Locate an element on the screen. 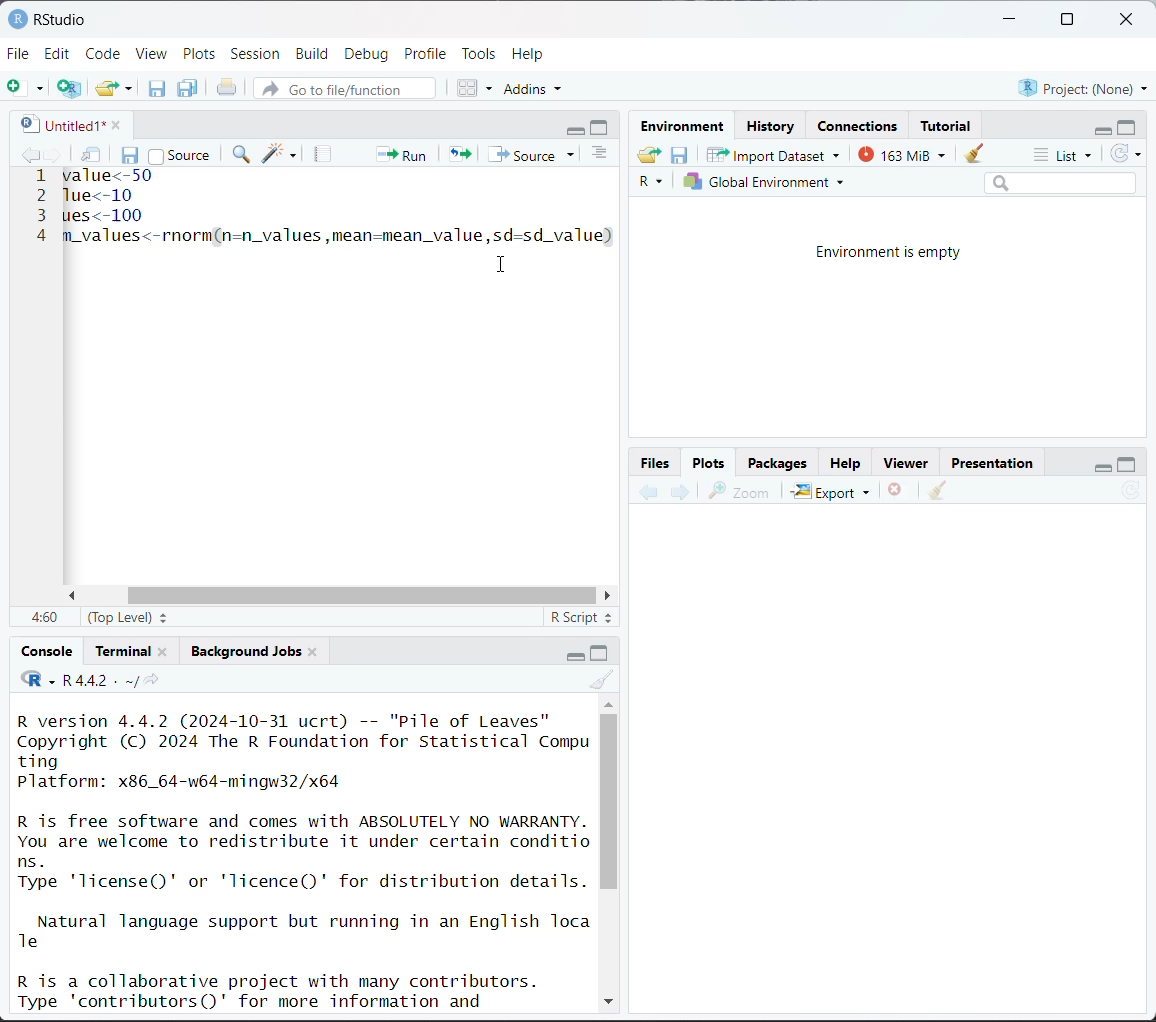 The width and height of the screenshot is (1156, 1022). Code is located at coordinates (105, 52).